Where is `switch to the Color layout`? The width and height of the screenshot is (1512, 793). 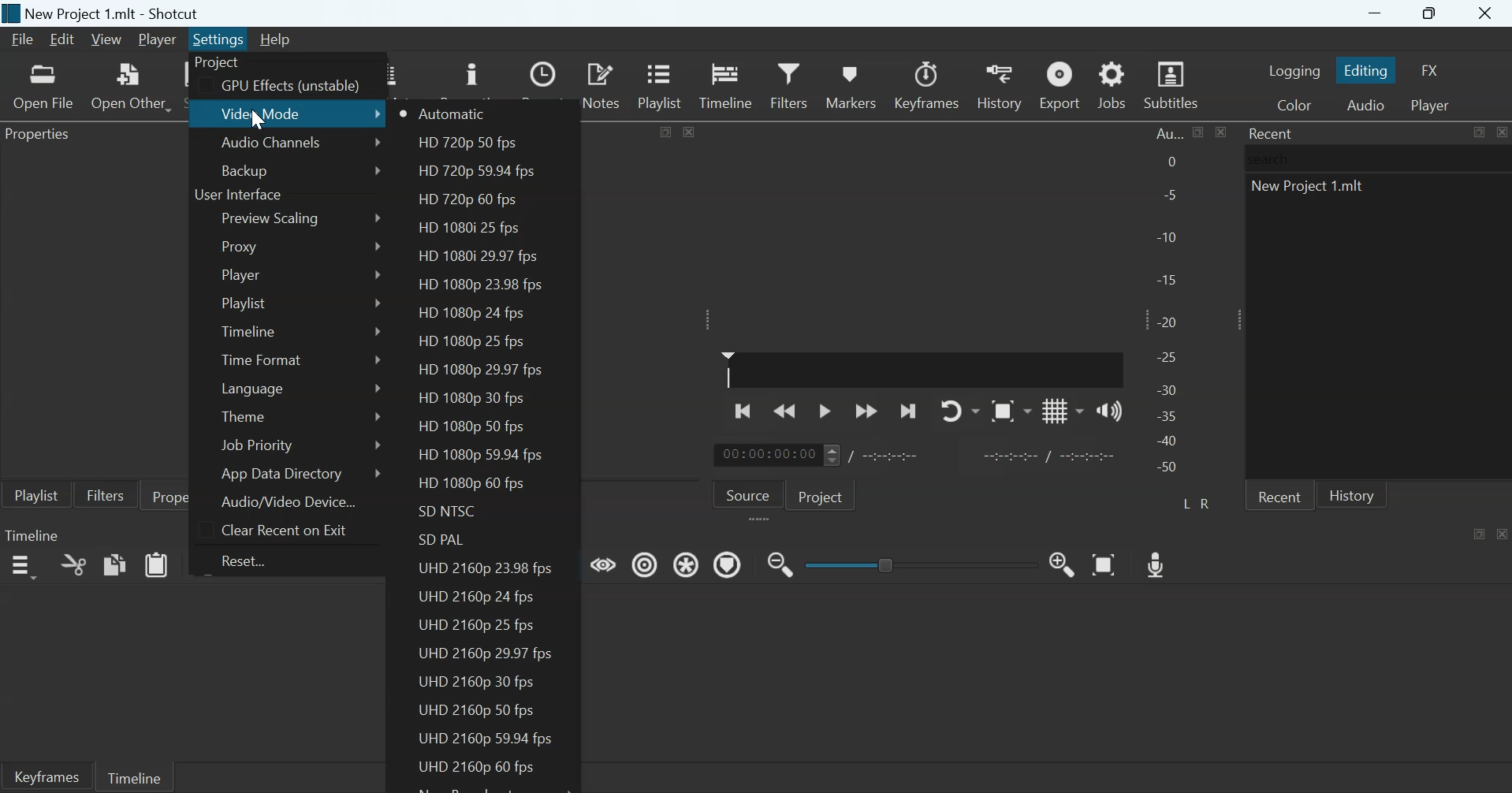 switch to the Color layout is located at coordinates (1294, 104).